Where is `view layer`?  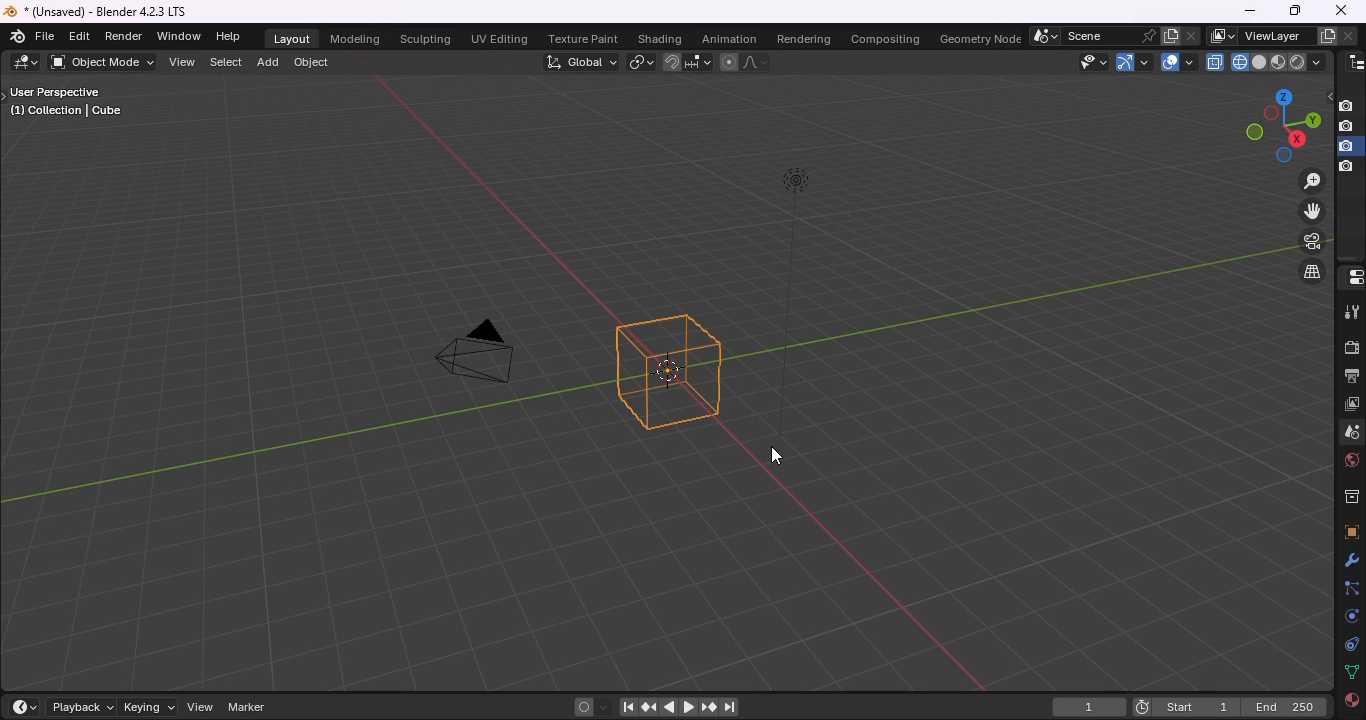
view layer is located at coordinates (1352, 405).